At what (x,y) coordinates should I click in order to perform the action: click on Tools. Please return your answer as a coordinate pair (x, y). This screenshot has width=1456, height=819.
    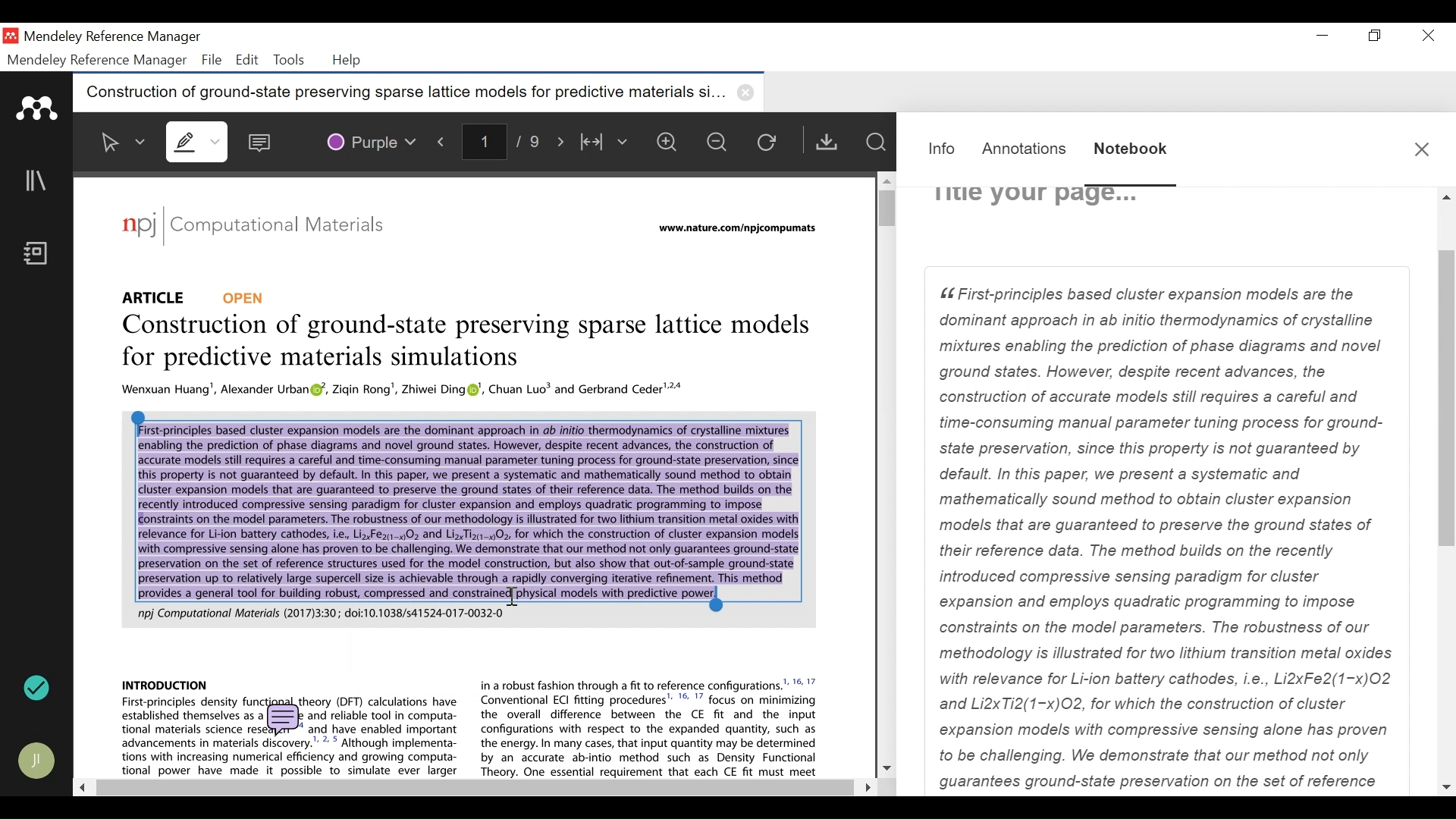
    Looking at the image, I should click on (287, 60).